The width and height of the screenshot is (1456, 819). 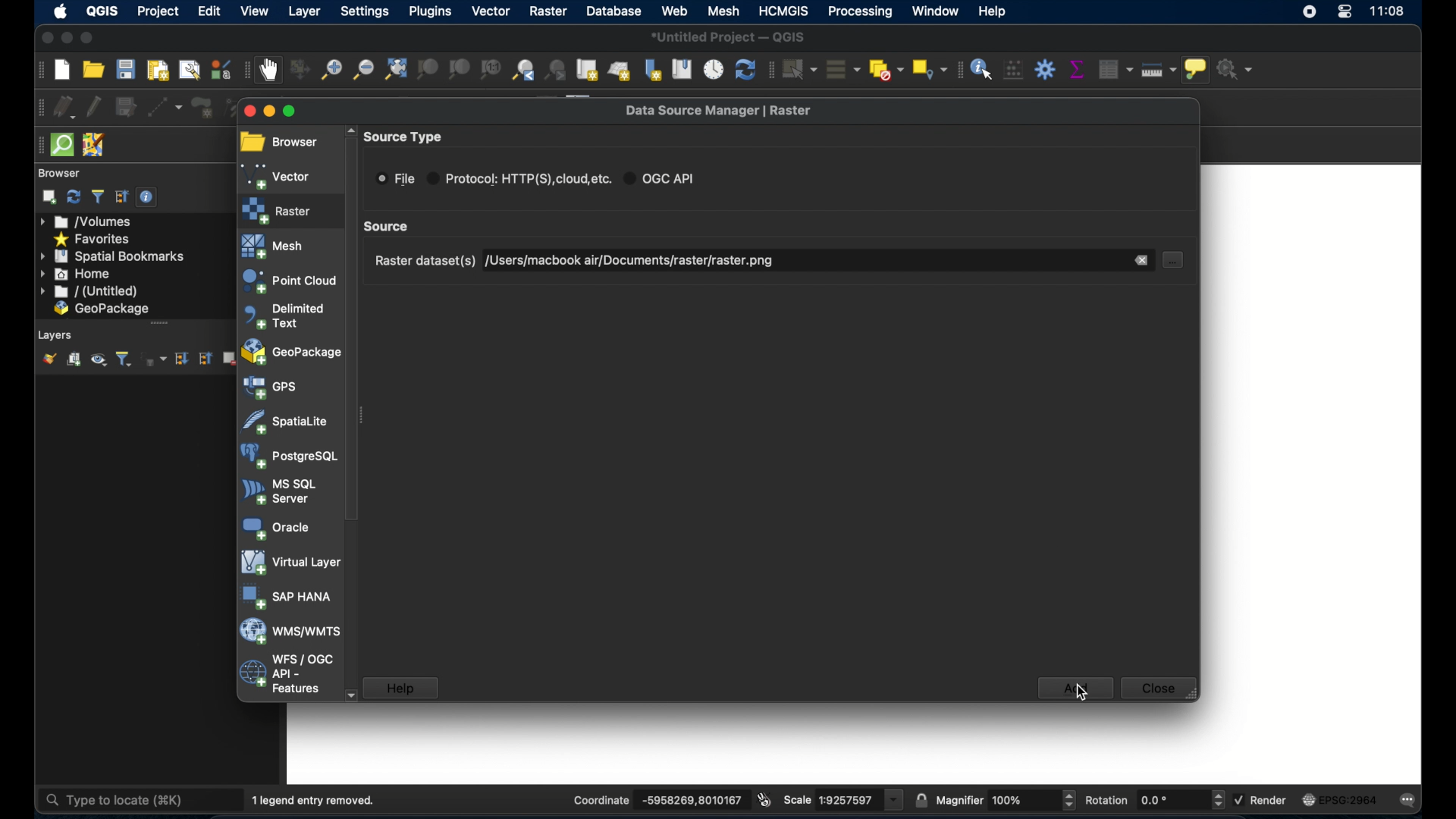 I want to click on pan map to selection, so click(x=302, y=70).